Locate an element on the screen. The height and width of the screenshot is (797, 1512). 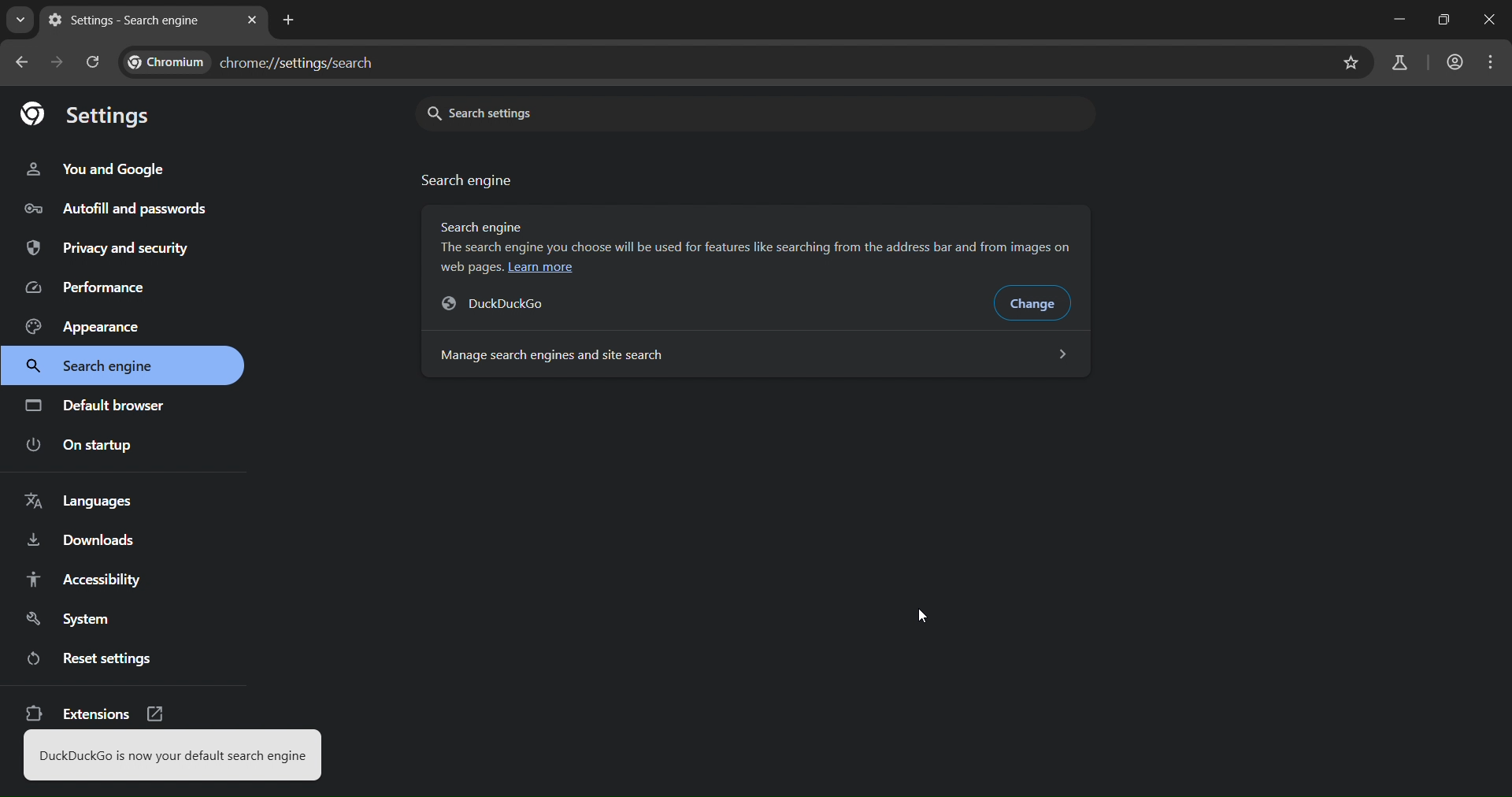
minimize is located at coordinates (1399, 18).